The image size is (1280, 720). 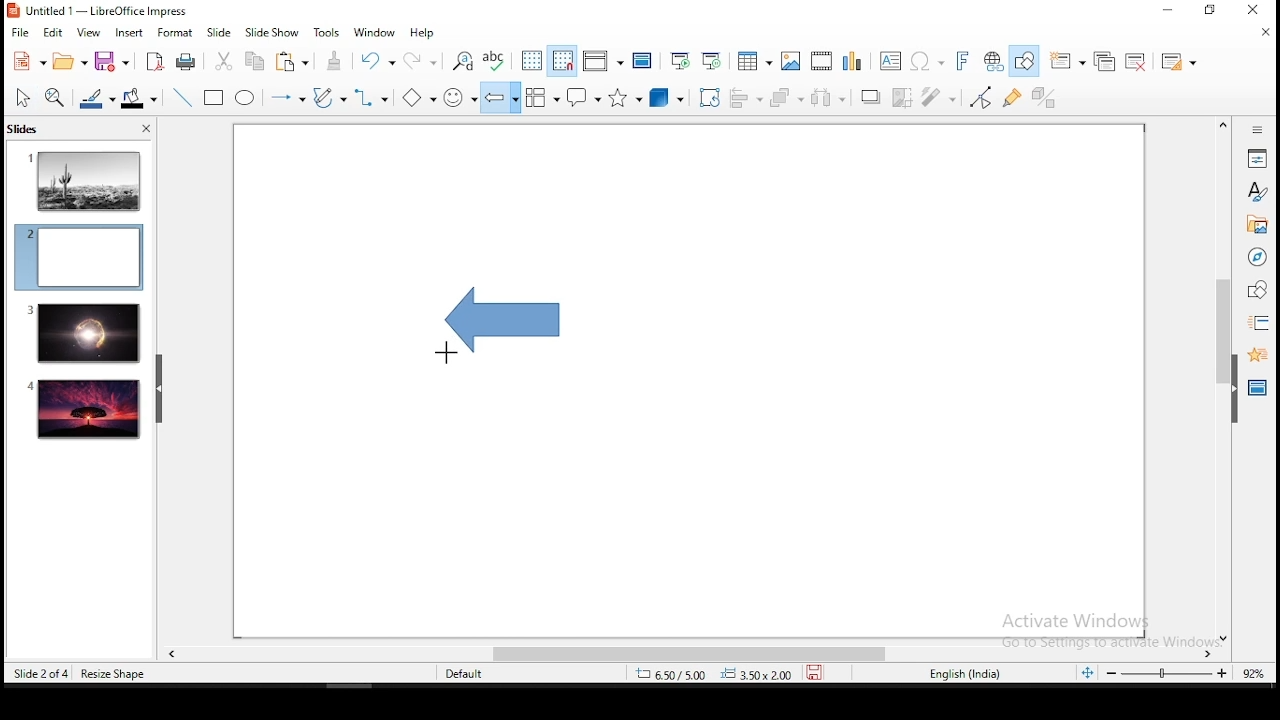 What do you see at coordinates (819, 672) in the screenshot?
I see `save` at bounding box center [819, 672].